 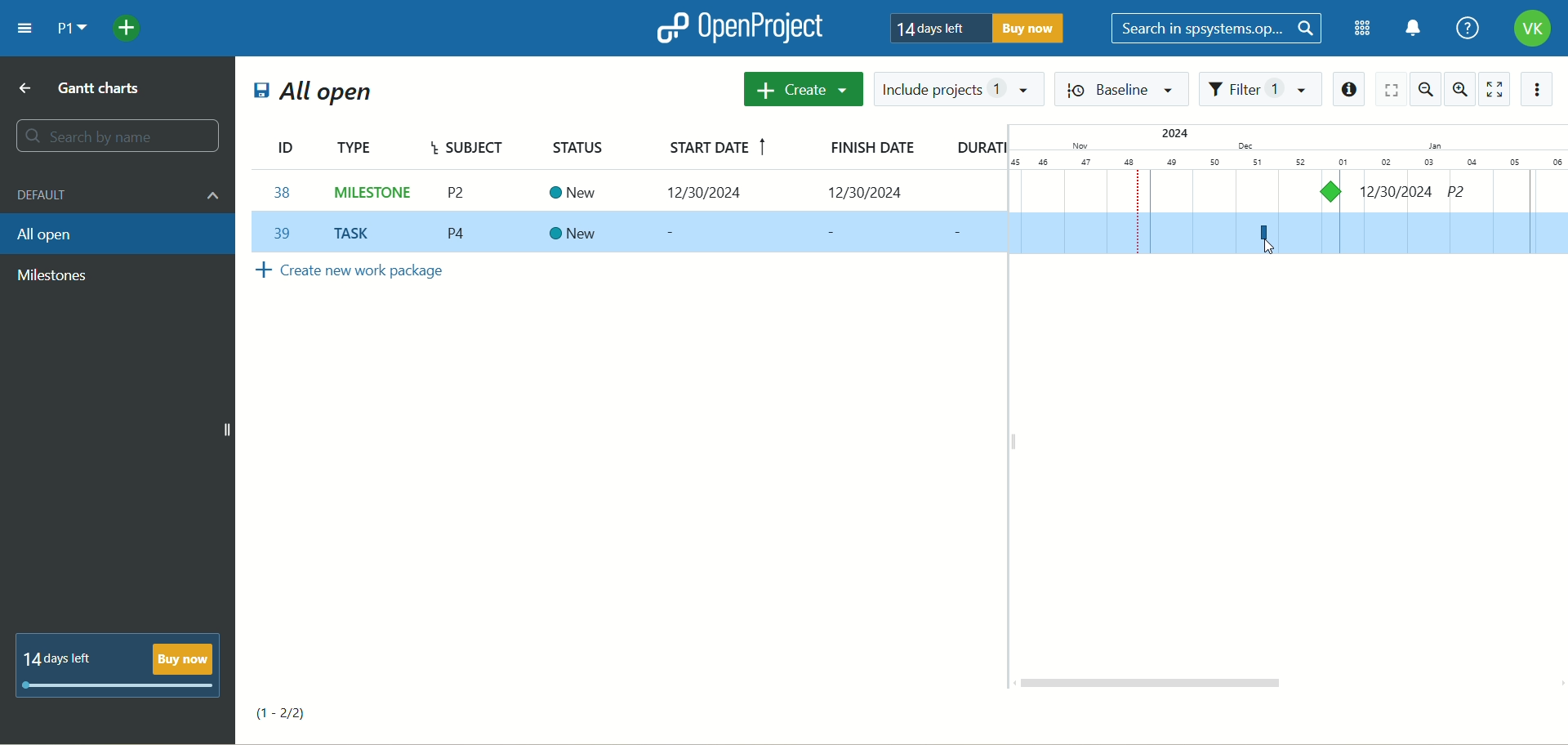 What do you see at coordinates (714, 193) in the screenshot?
I see `12/30/2024` at bounding box center [714, 193].